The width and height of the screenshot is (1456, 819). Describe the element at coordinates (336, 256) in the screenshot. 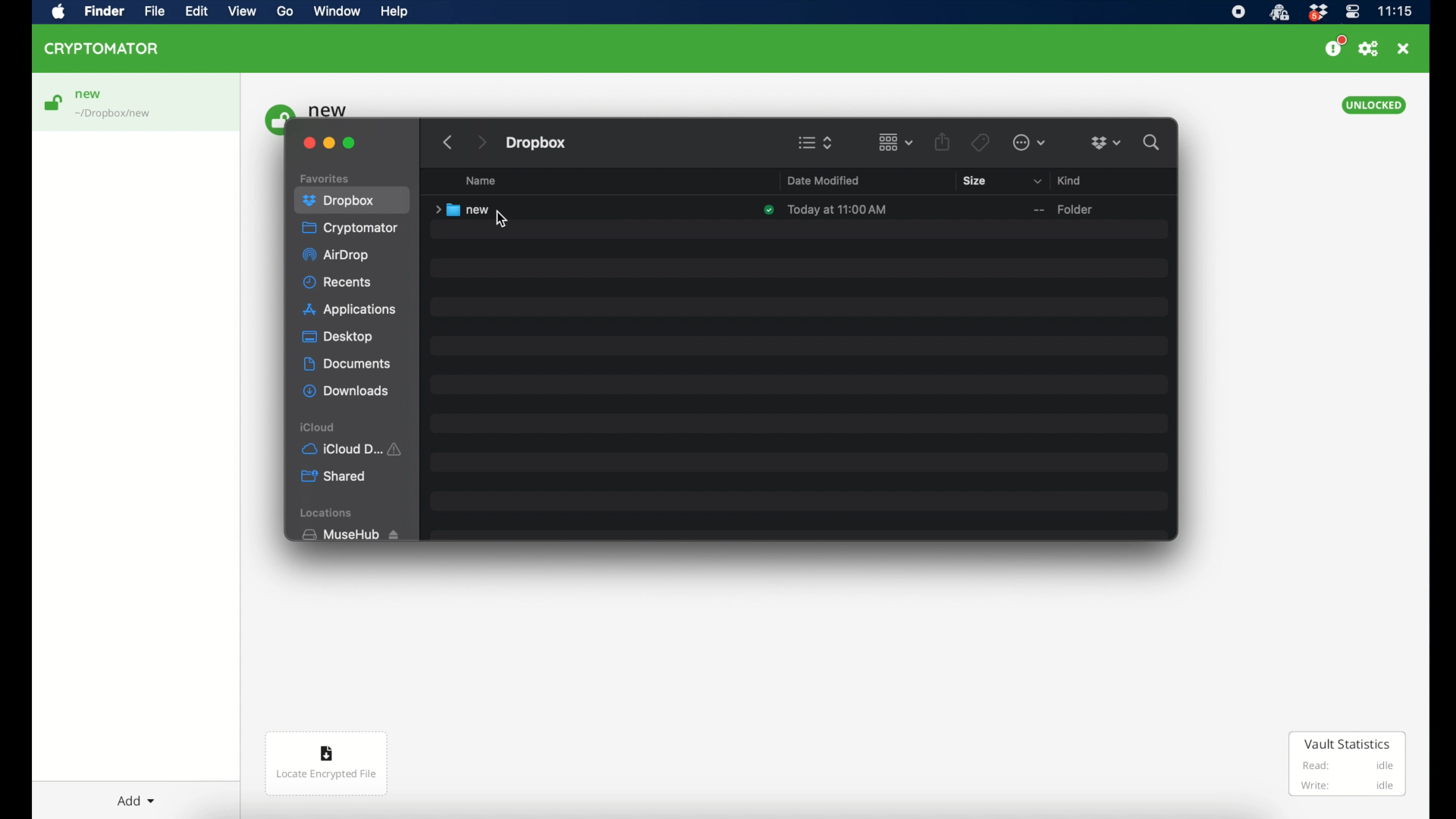

I see `airdrop` at that location.